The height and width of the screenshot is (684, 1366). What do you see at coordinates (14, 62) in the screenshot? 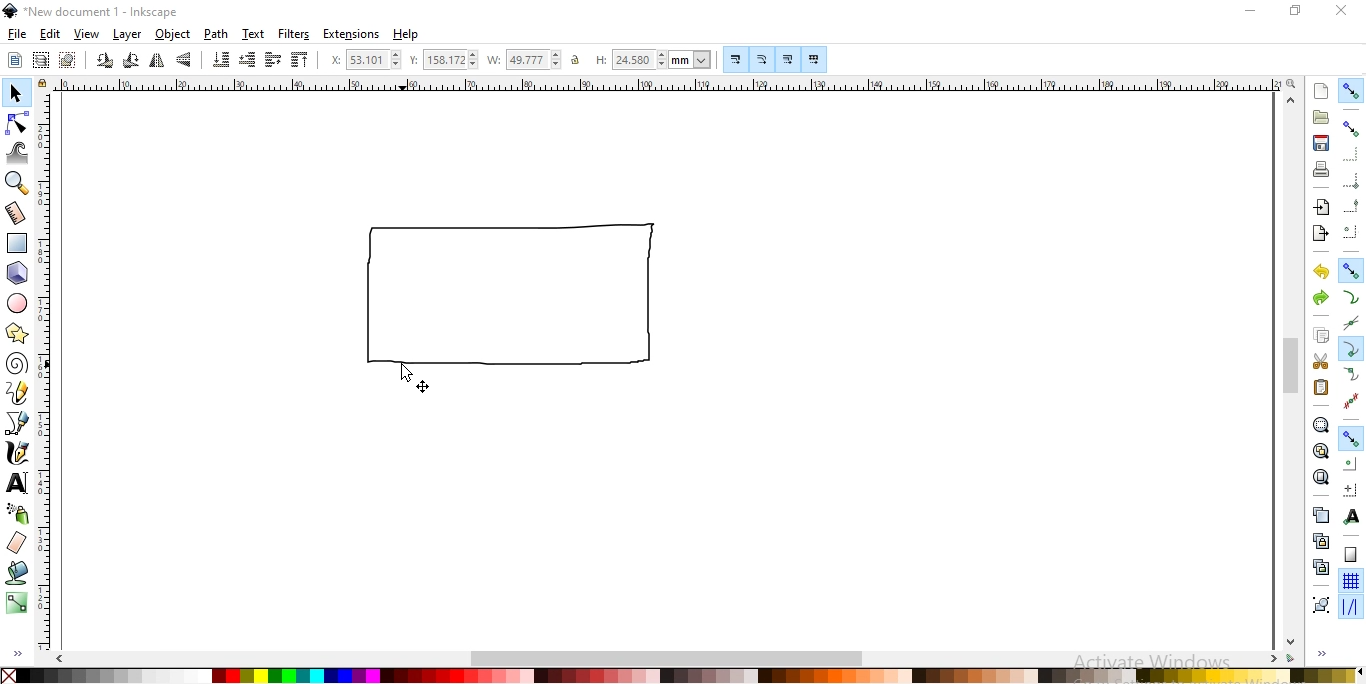
I see `select all objects or all nodes` at bounding box center [14, 62].